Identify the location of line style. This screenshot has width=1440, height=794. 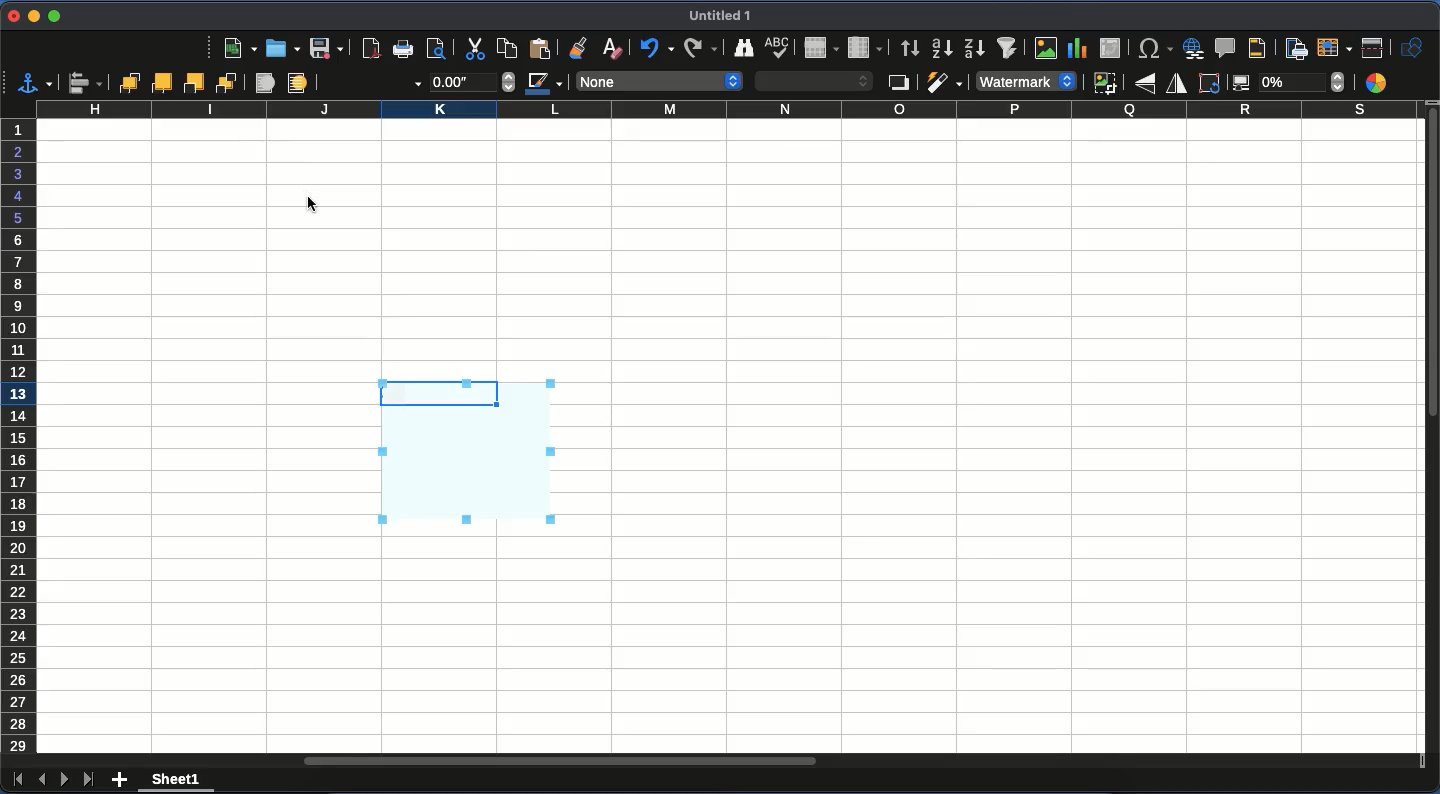
(373, 84).